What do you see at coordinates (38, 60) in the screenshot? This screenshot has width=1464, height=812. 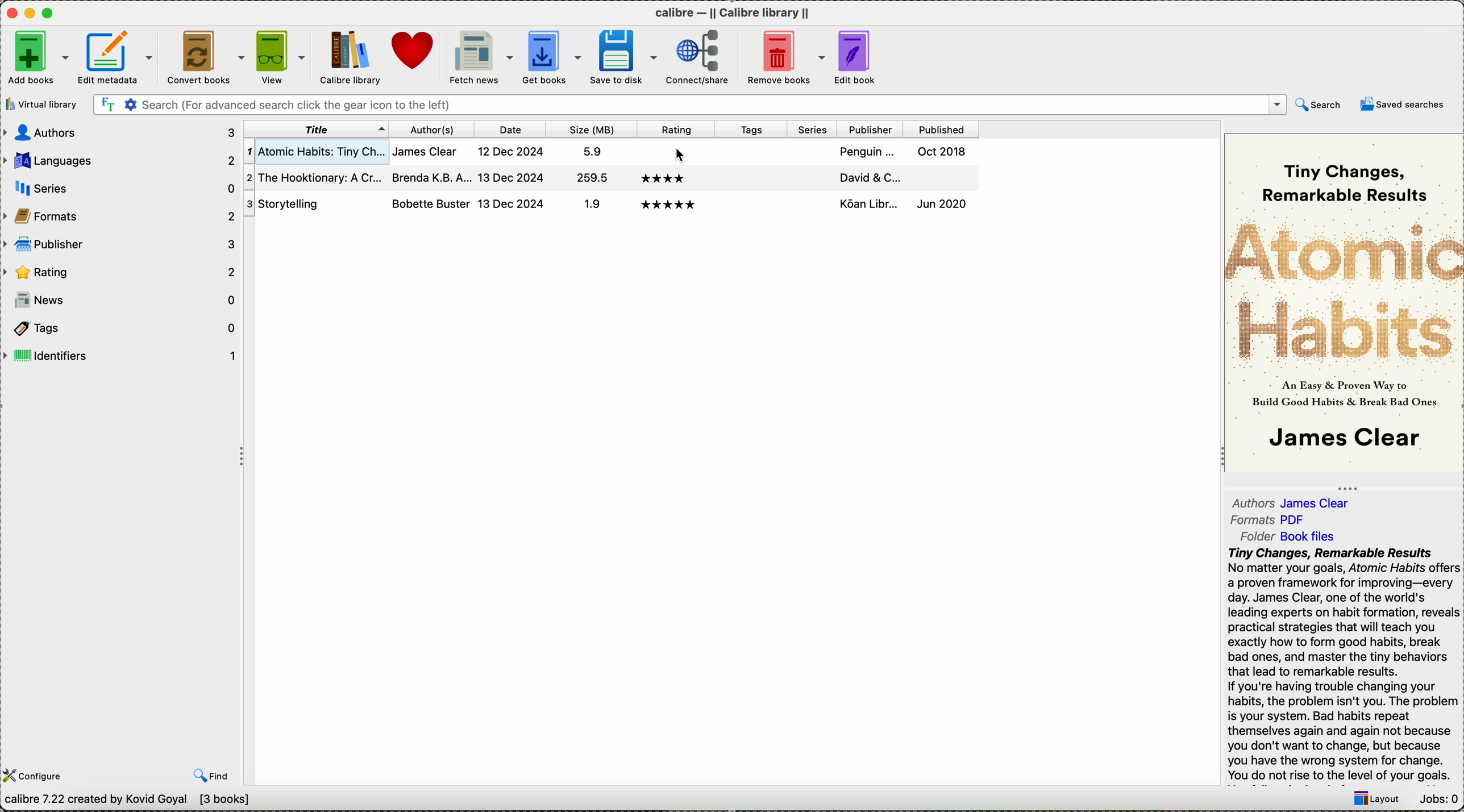 I see `add books` at bounding box center [38, 60].